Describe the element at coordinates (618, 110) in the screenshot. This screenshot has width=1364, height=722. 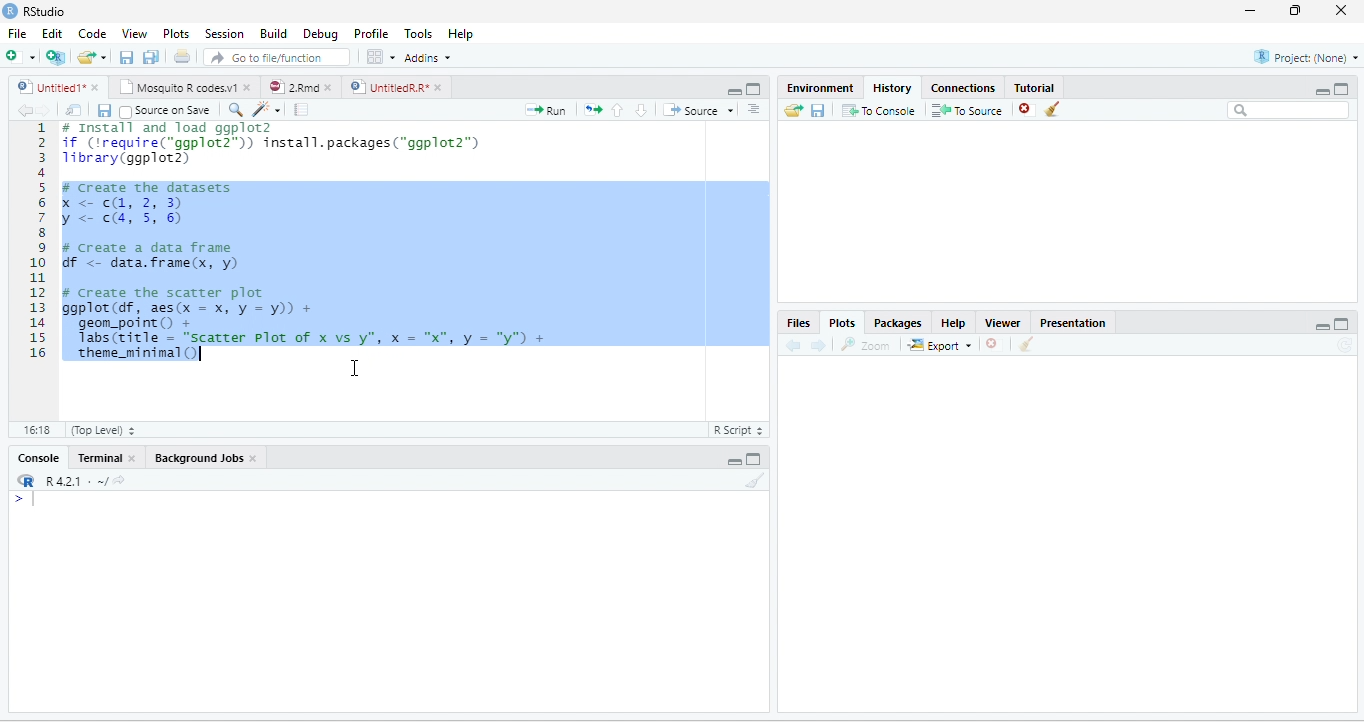
I see `Go to previous section/chunk` at that location.